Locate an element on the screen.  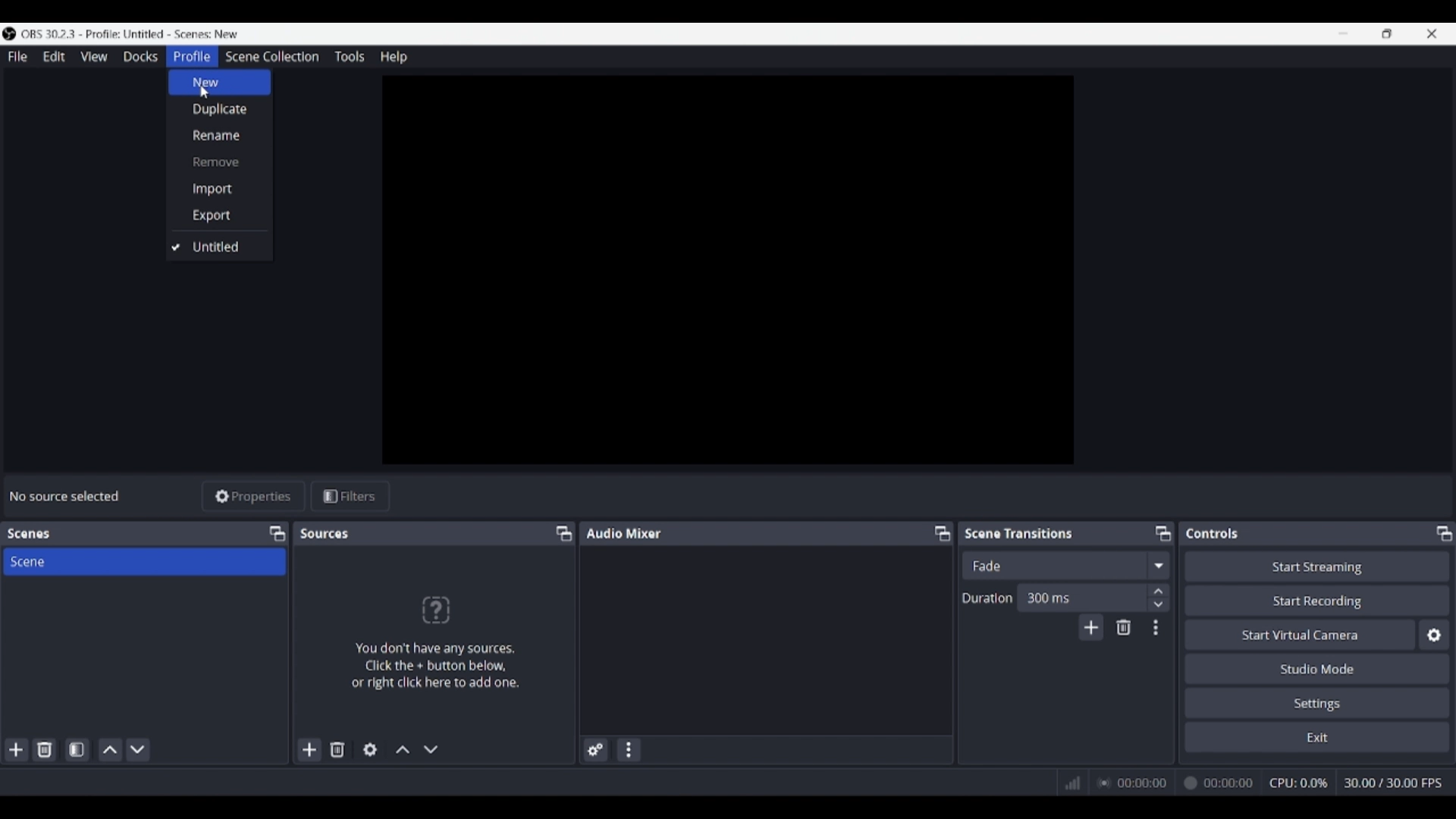
Help menu is located at coordinates (394, 57).